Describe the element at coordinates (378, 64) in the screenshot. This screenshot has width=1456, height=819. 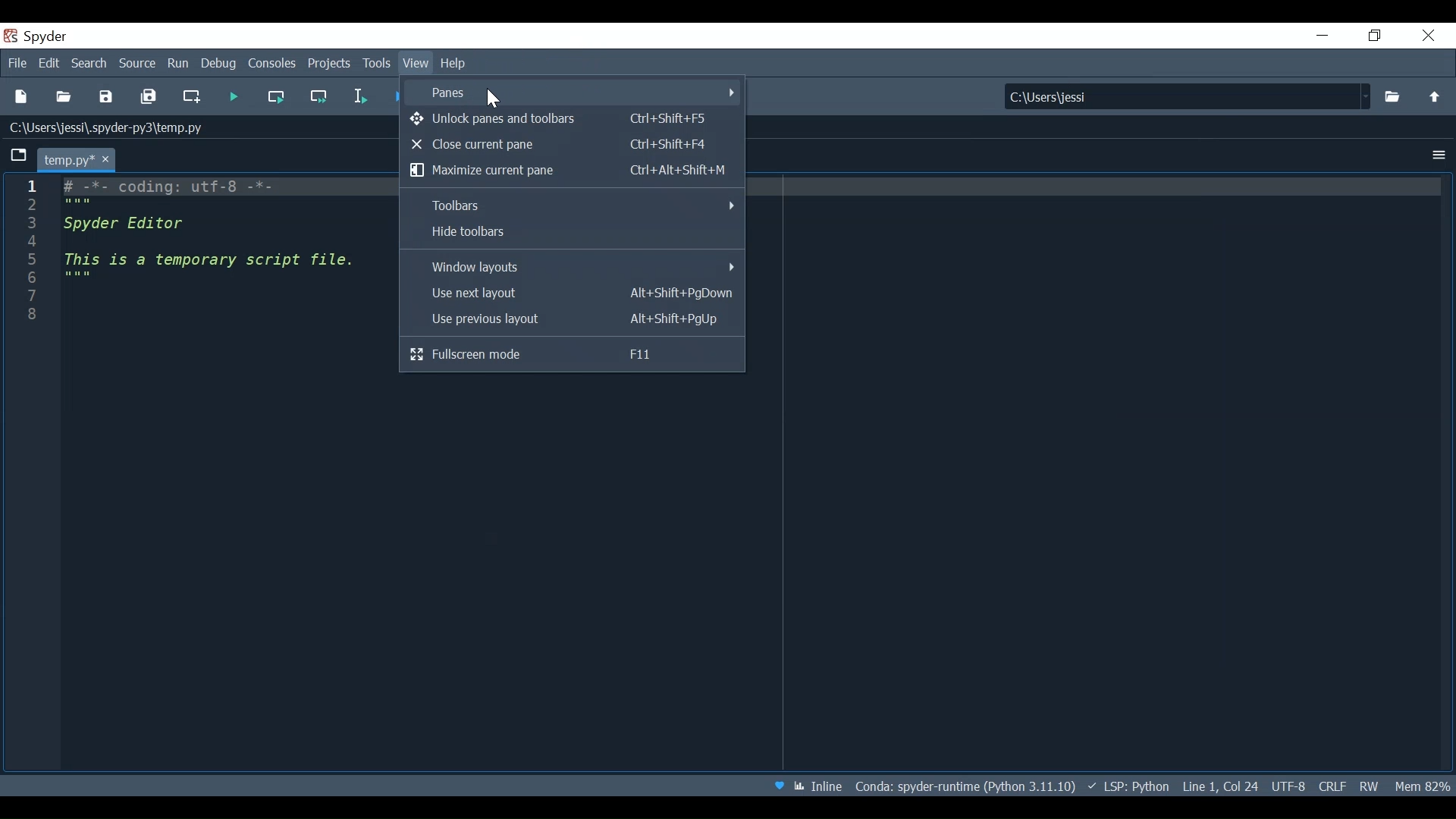
I see `Tools` at that location.